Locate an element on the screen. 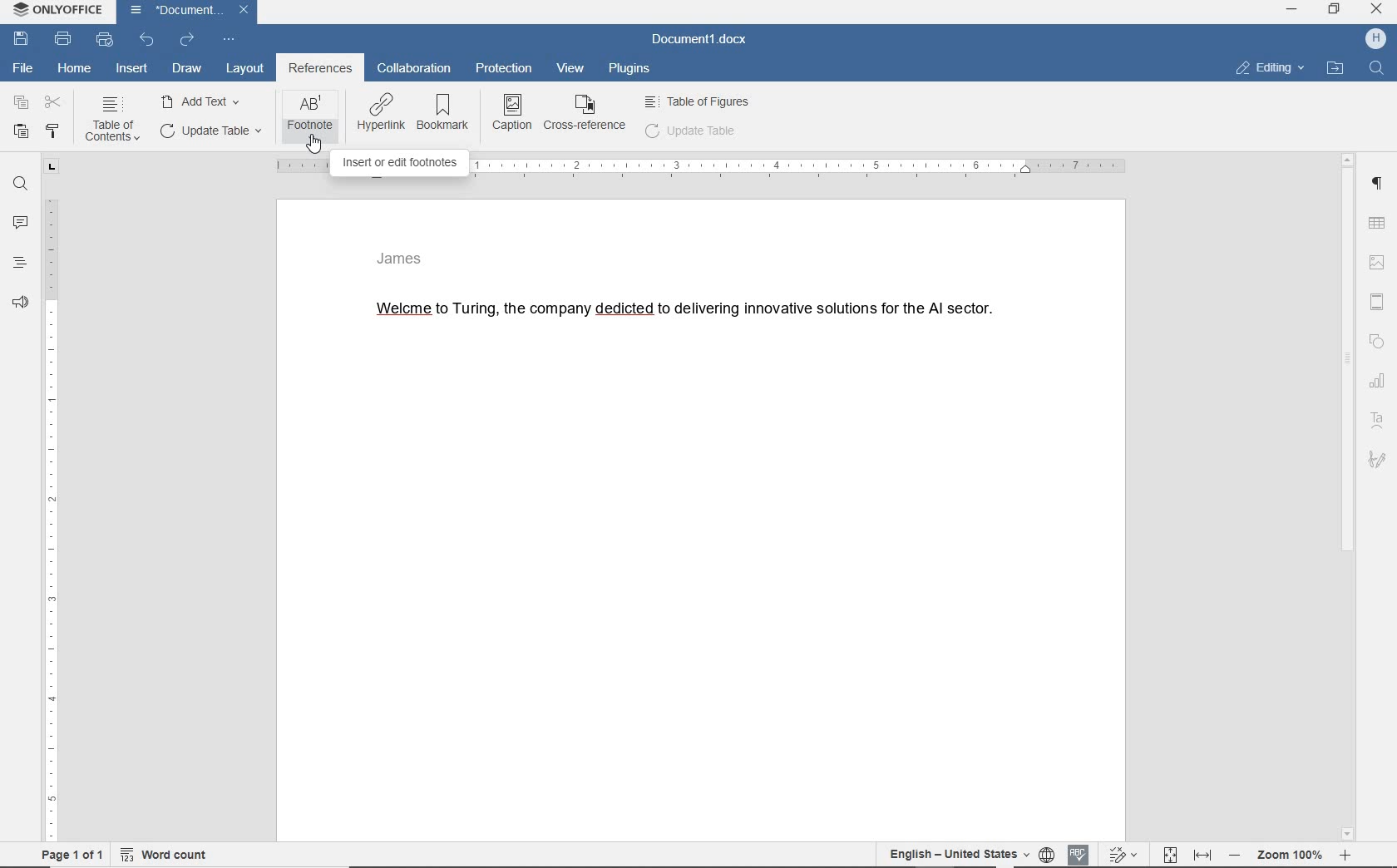 The width and height of the screenshot is (1397, 868). ruler is located at coordinates (52, 502).